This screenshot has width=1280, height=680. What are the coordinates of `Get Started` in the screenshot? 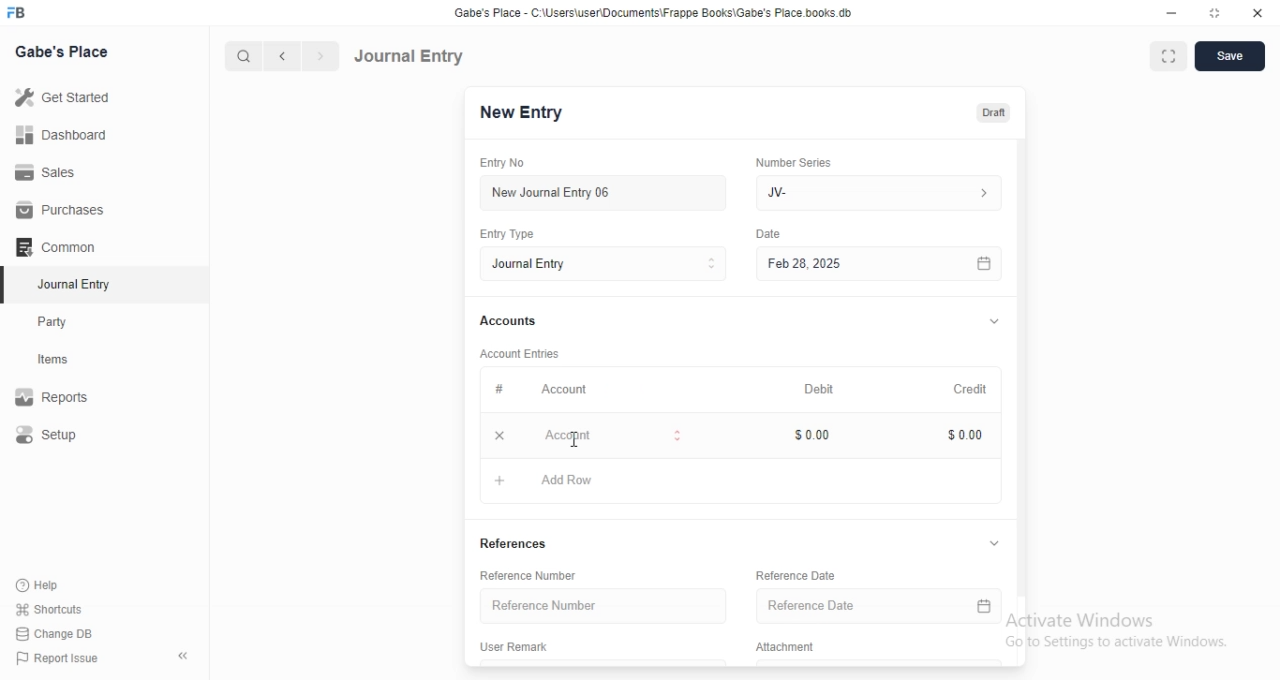 It's located at (67, 97).